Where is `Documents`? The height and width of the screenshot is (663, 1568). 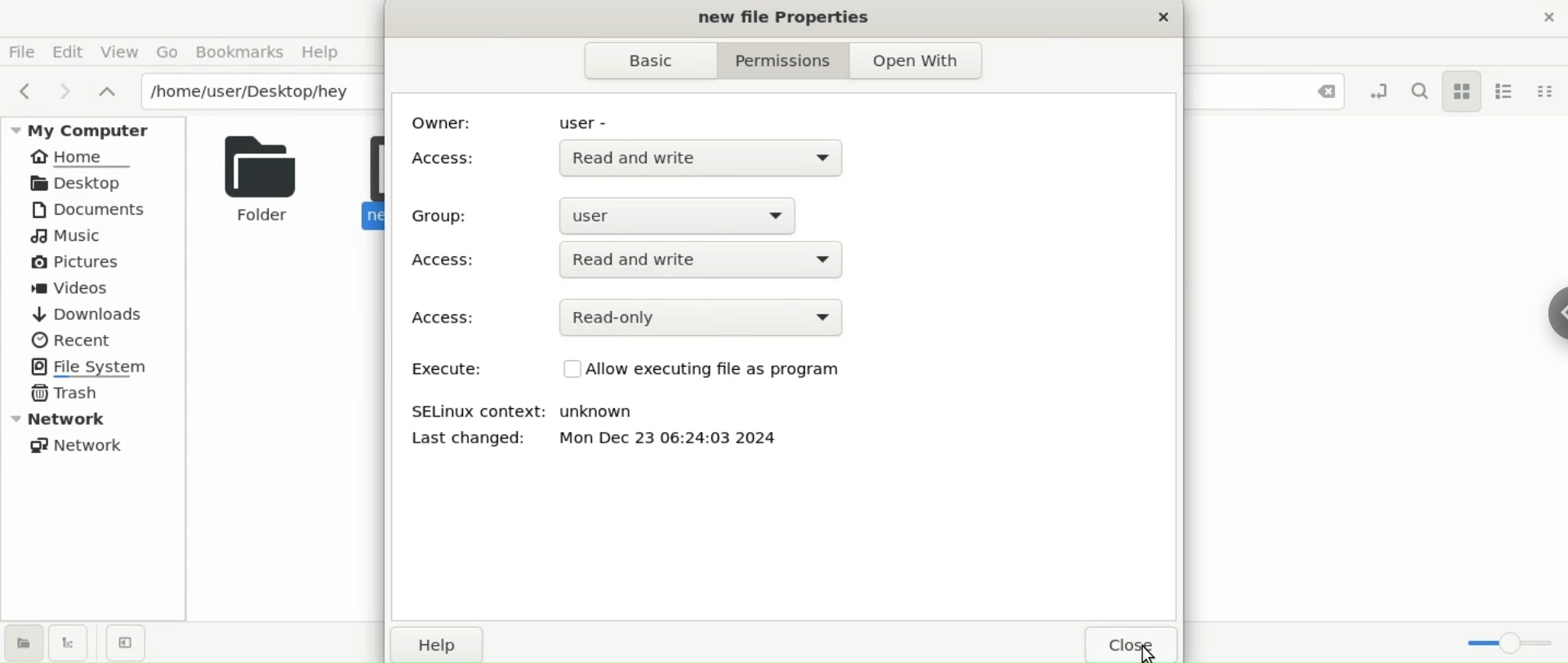
Documents is located at coordinates (96, 209).